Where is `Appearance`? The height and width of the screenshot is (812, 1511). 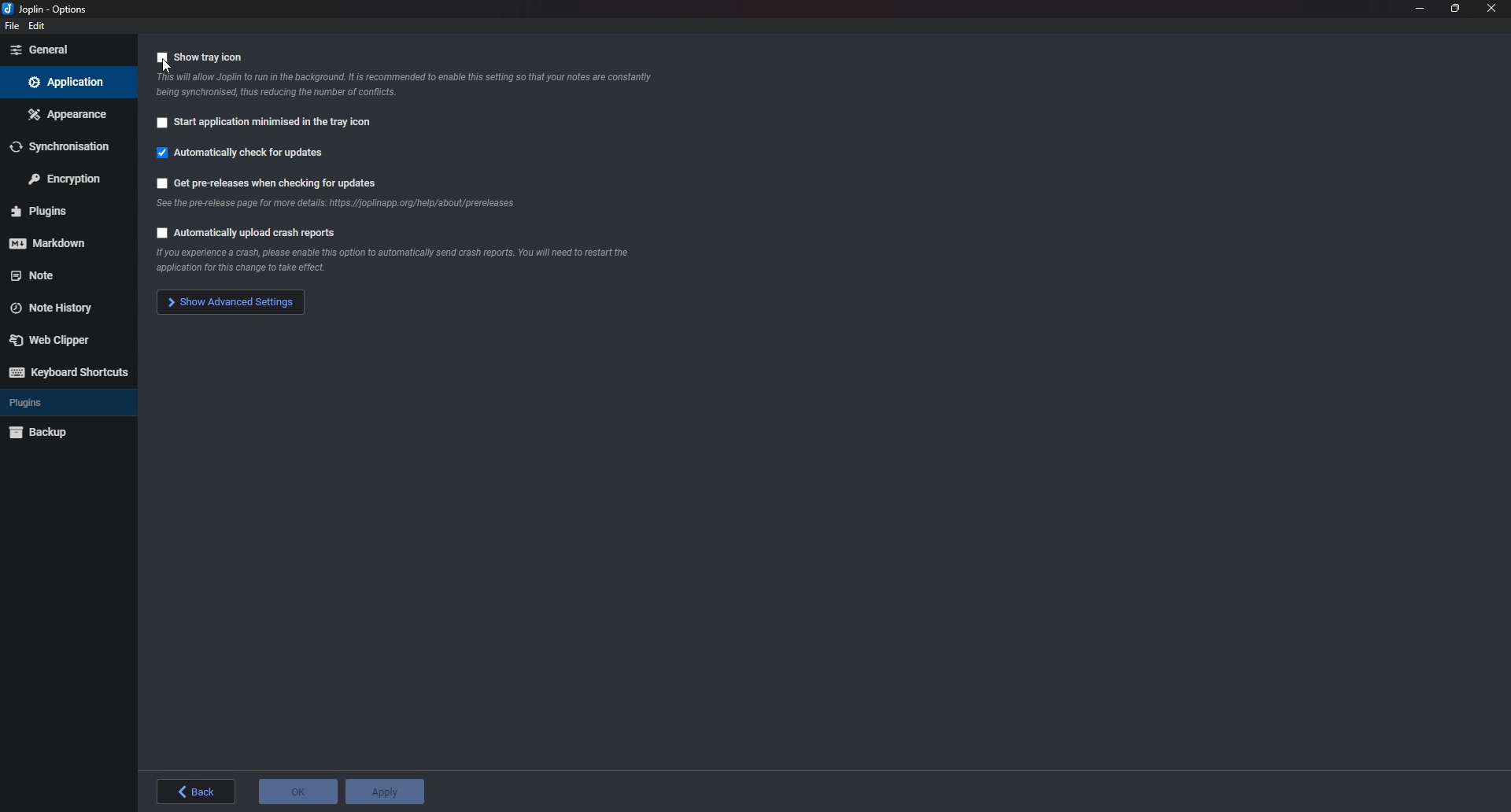
Appearance is located at coordinates (67, 113).